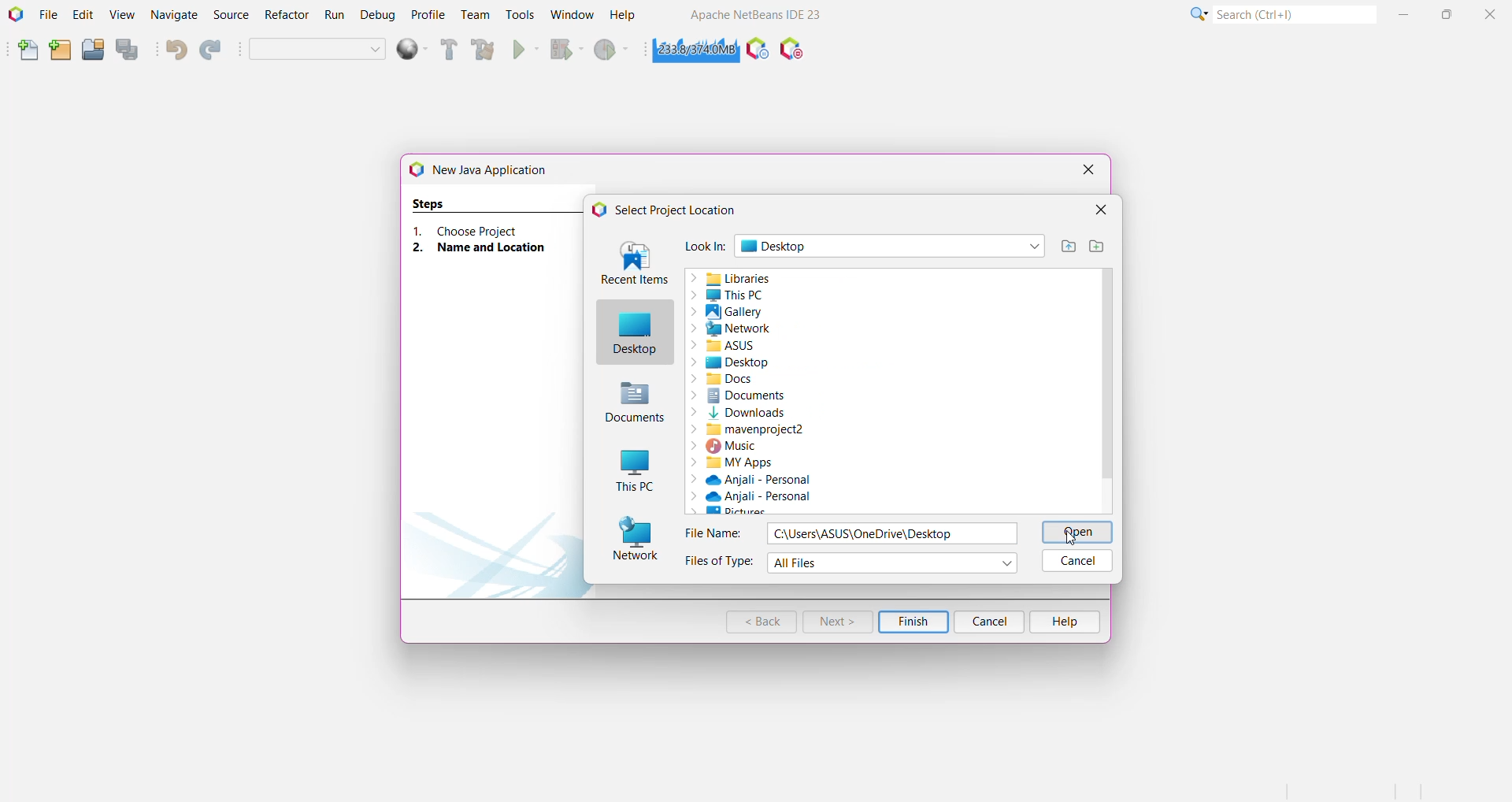 The image size is (1512, 802). I want to click on Desktop, so click(634, 332).